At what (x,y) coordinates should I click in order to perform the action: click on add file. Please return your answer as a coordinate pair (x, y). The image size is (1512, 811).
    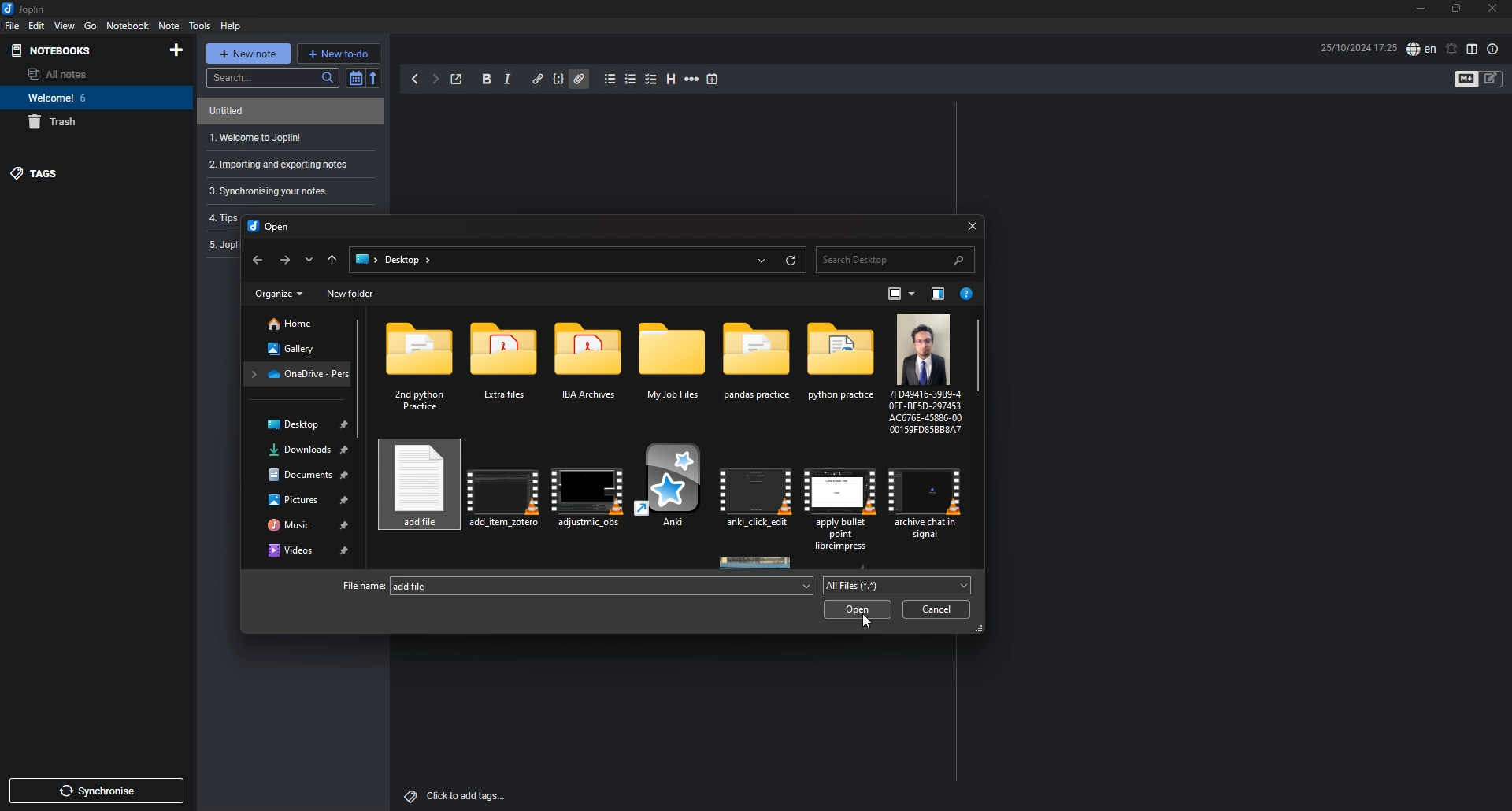
    Looking at the image, I should click on (602, 586).